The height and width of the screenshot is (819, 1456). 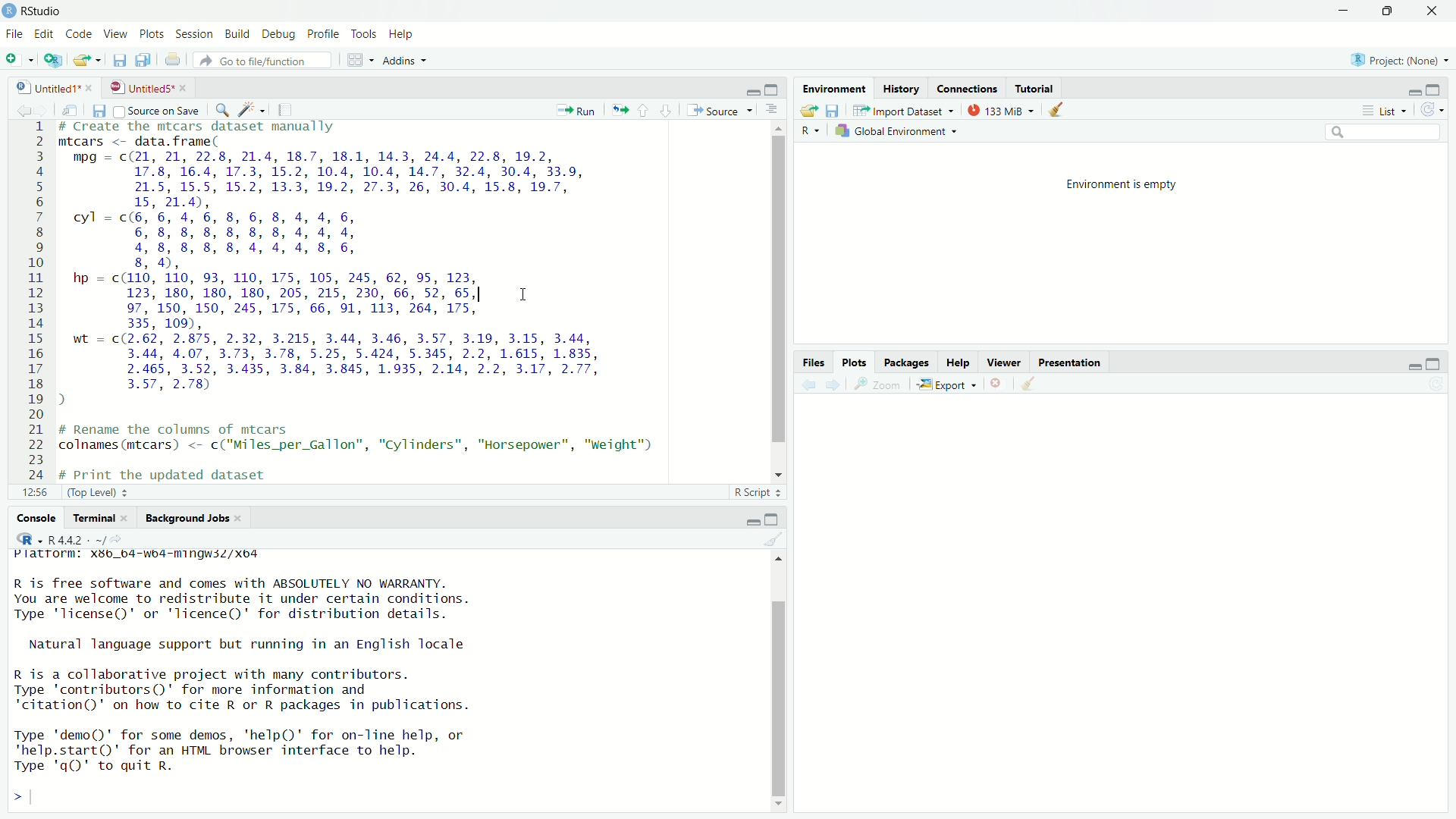 What do you see at coordinates (403, 36) in the screenshot?
I see `Help` at bounding box center [403, 36].